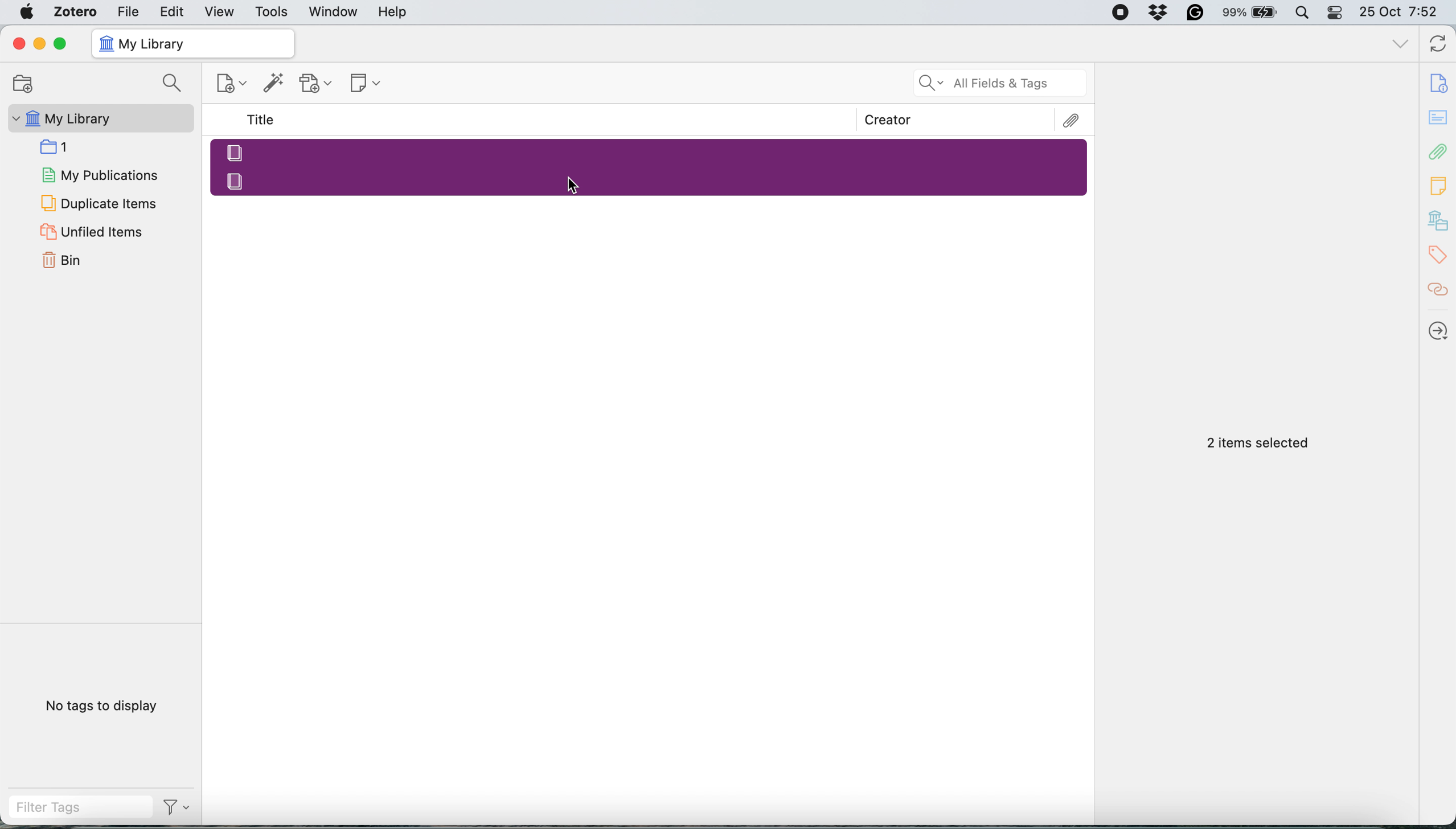 The image size is (1456, 829). Describe the element at coordinates (59, 146) in the screenshot. I see `1` at that location.